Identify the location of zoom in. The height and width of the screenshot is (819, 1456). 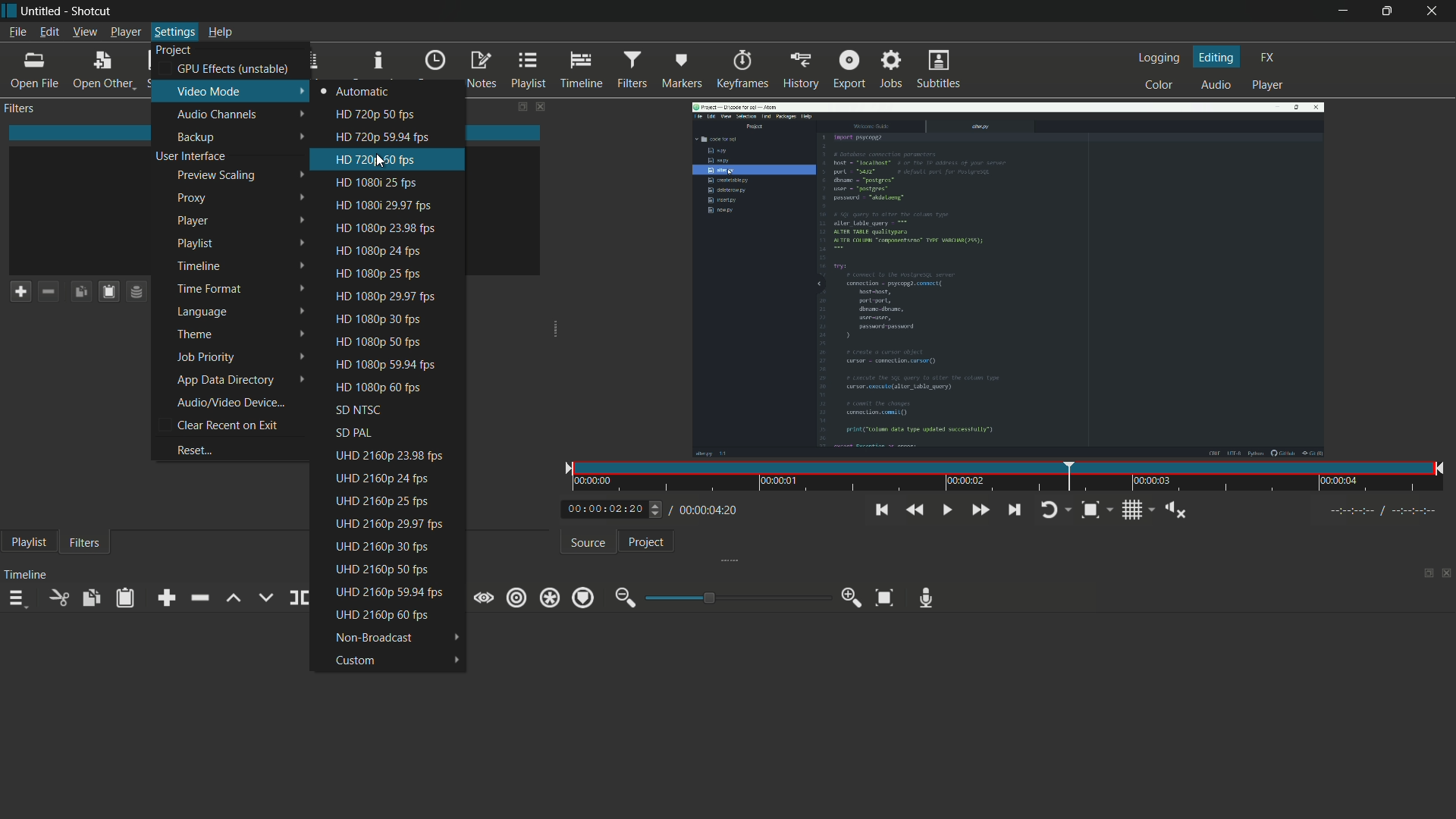
(853, 598).